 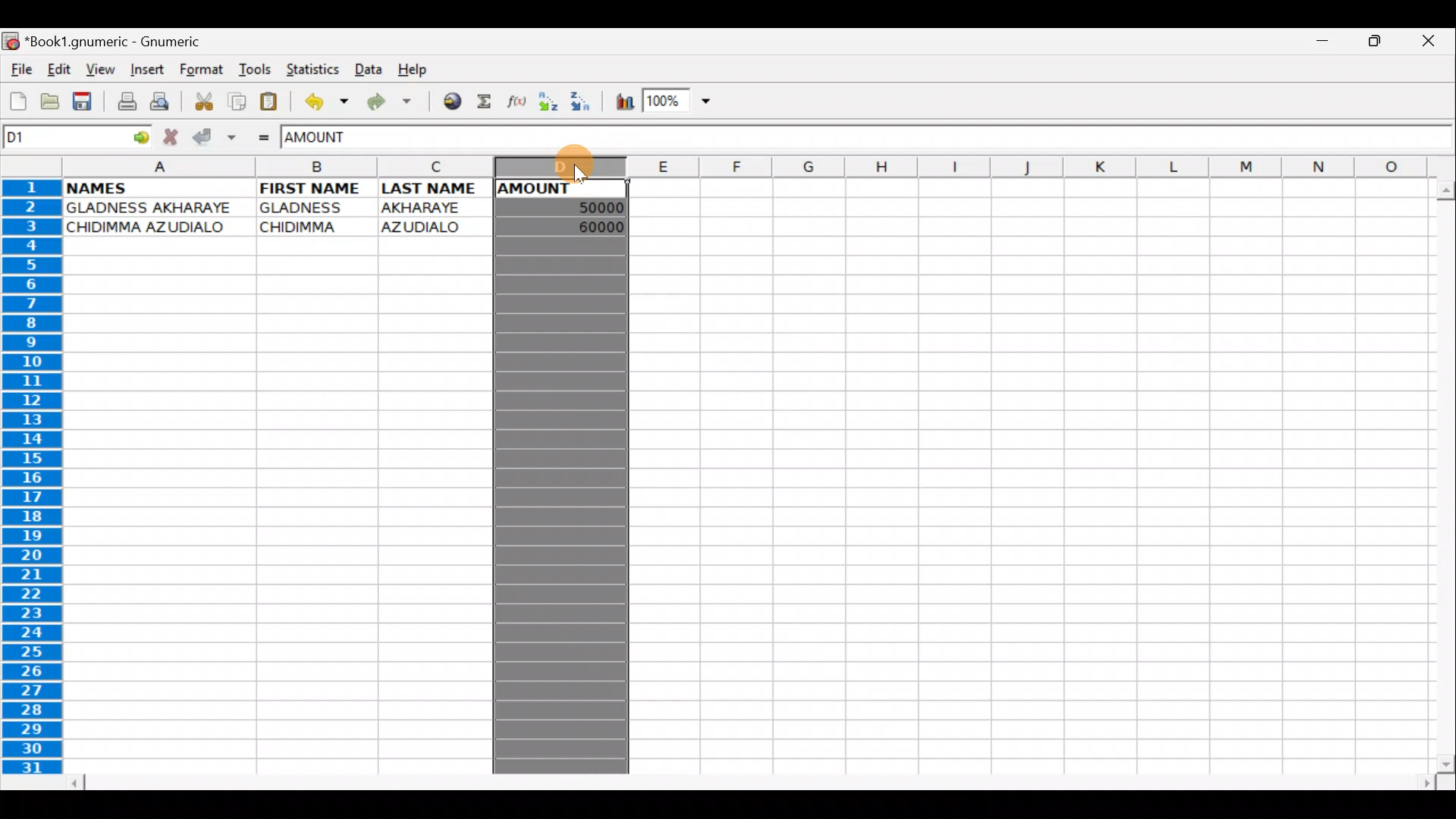 What do you see at coordinates (11, 41) in the screenshot?
I see `Gnumeric logo` at bounding box center [11, 41].